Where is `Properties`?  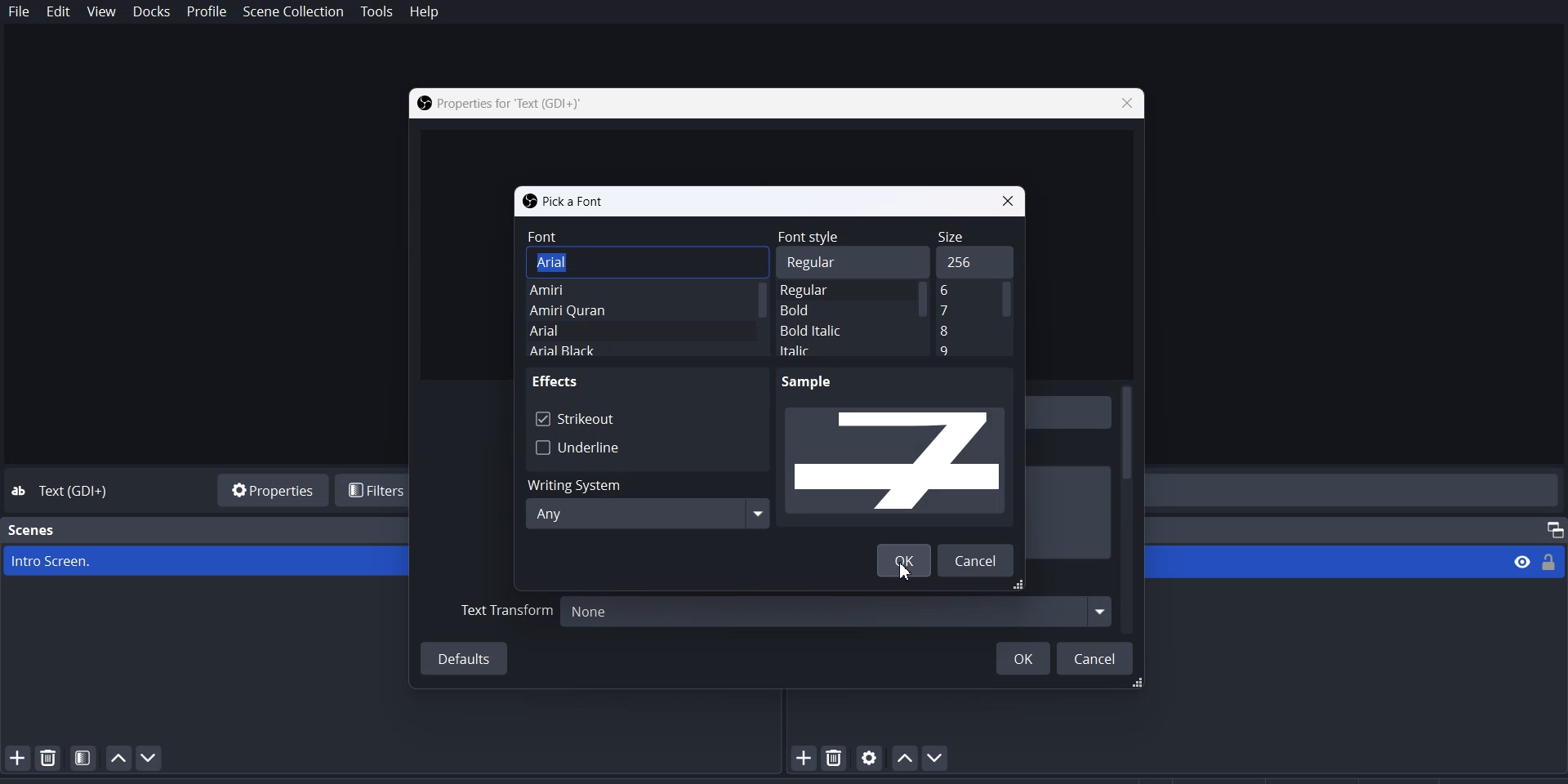 Properties is located at coordinates (269, 488).